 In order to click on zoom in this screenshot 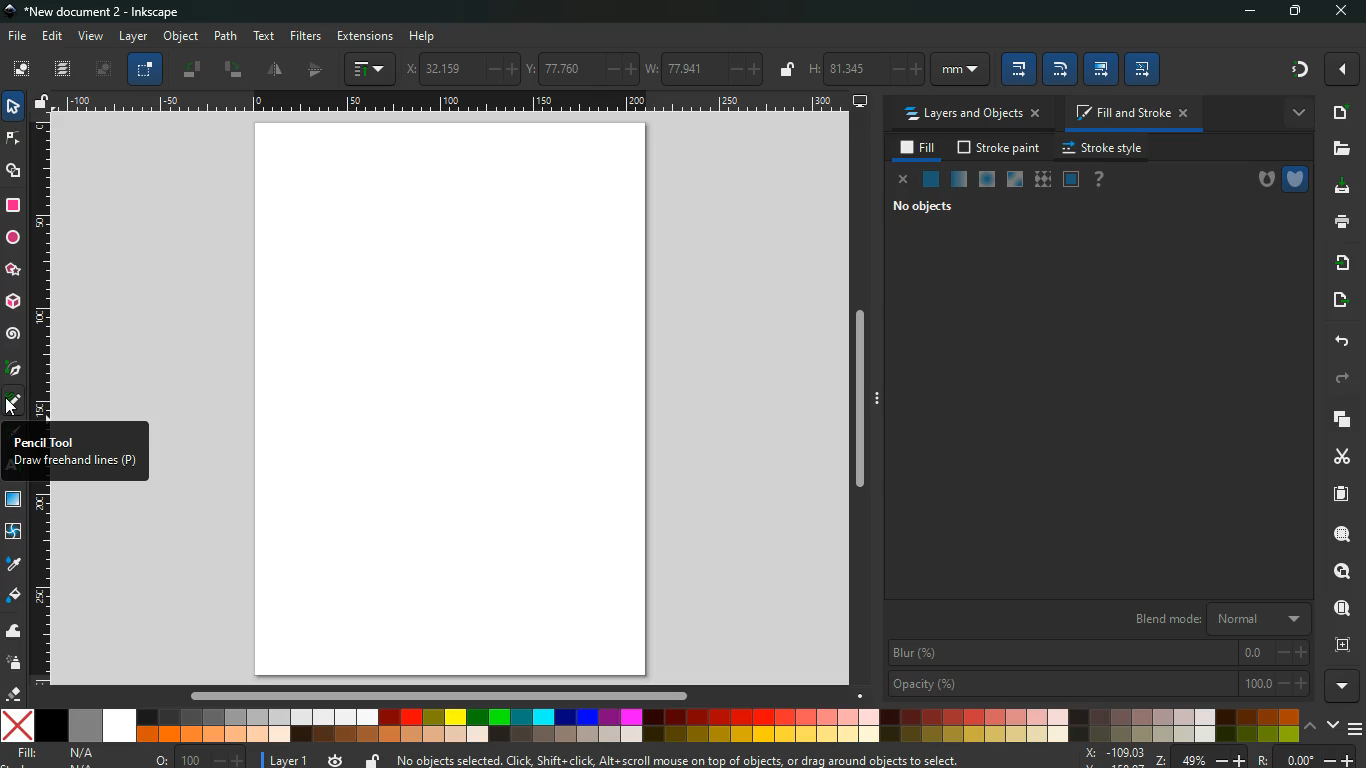, I will do `click(1222, 758)`.